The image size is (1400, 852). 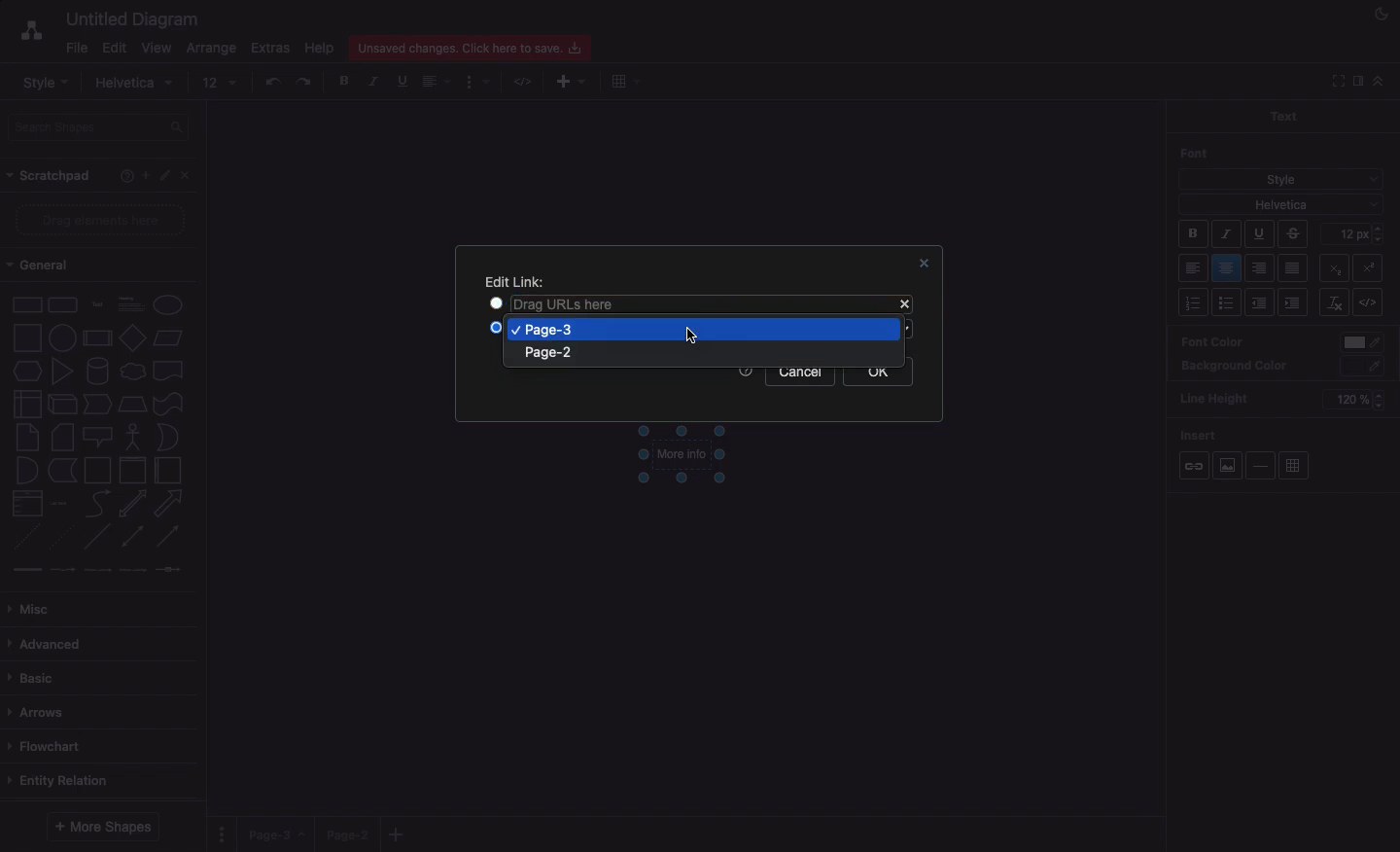 What do you see at coordinates (28, 372) in the screenshot?
I see `hexagon` at bounding box center [28, 372].